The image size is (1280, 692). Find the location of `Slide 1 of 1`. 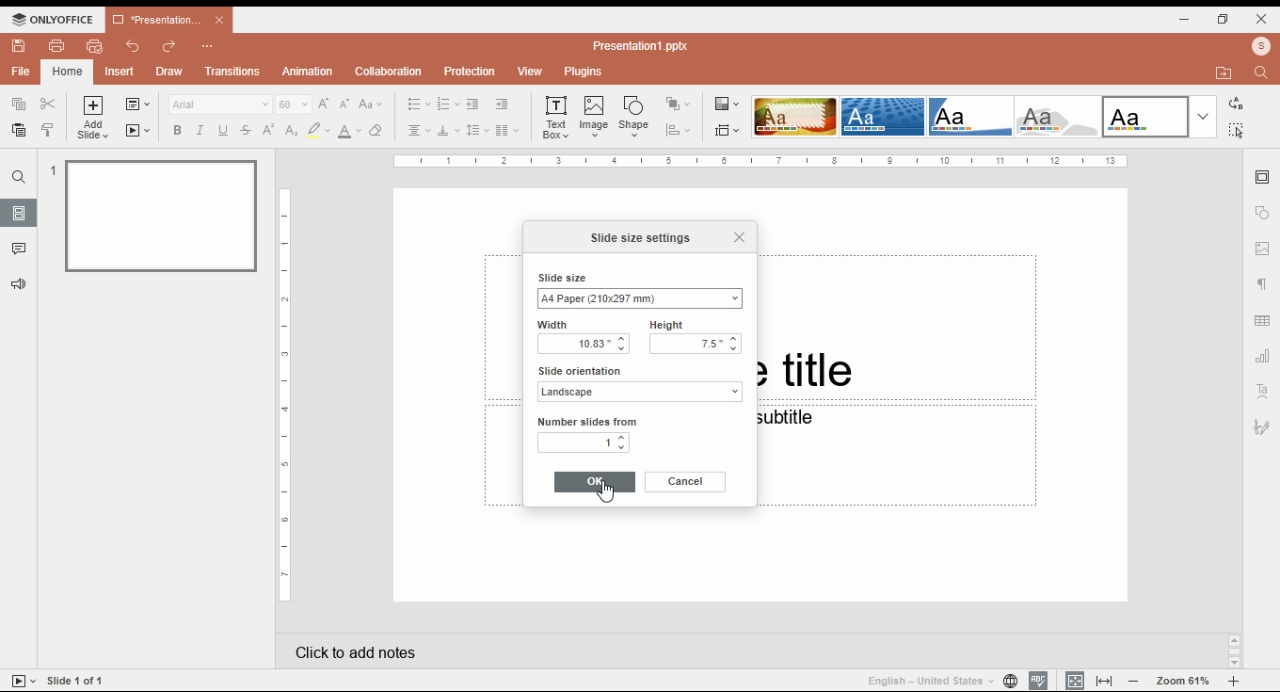

Slide 1 of 1 is located at coordinates (79, 680).